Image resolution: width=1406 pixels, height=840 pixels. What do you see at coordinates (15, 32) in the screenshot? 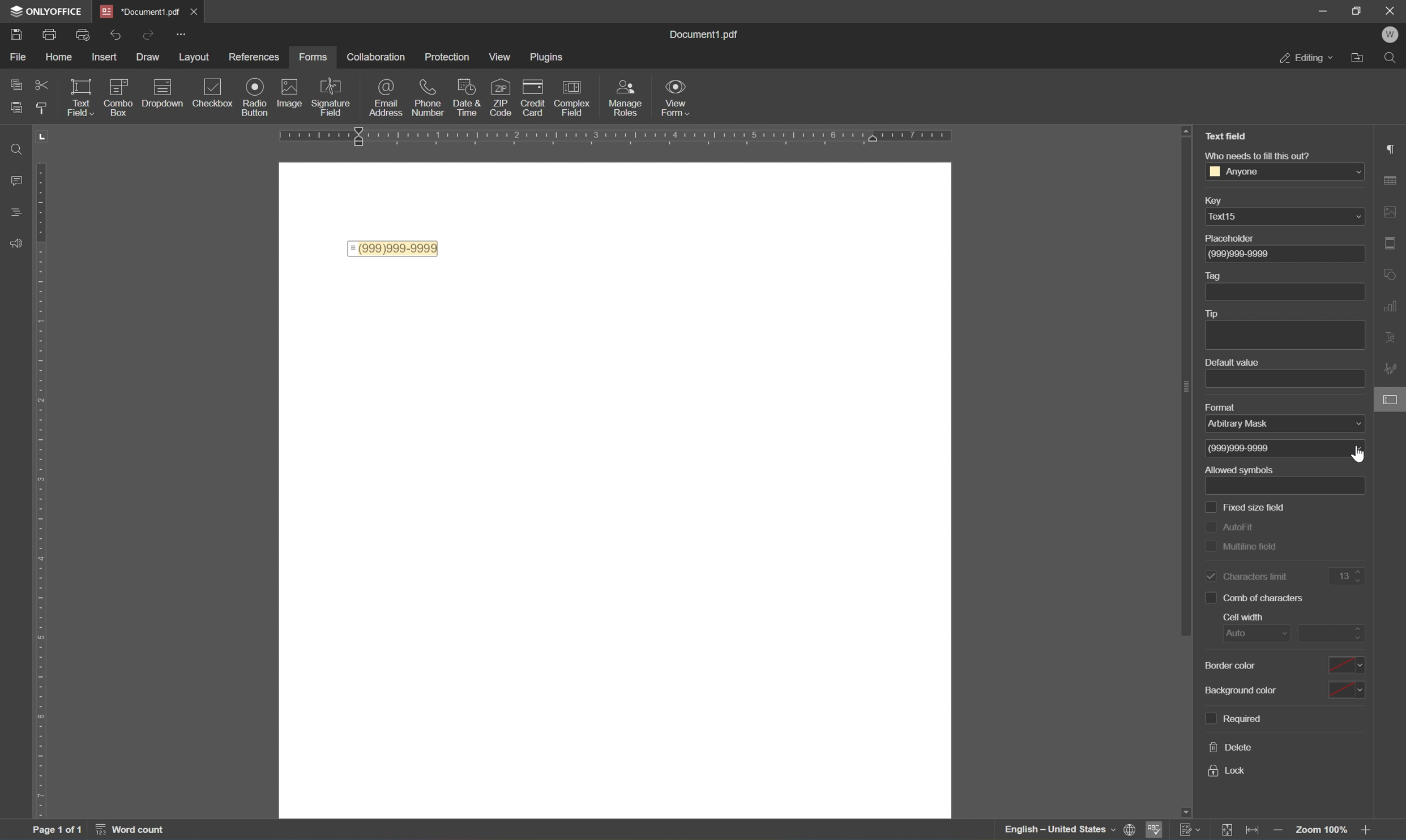
I see `print` at bounding box center [15, 32].